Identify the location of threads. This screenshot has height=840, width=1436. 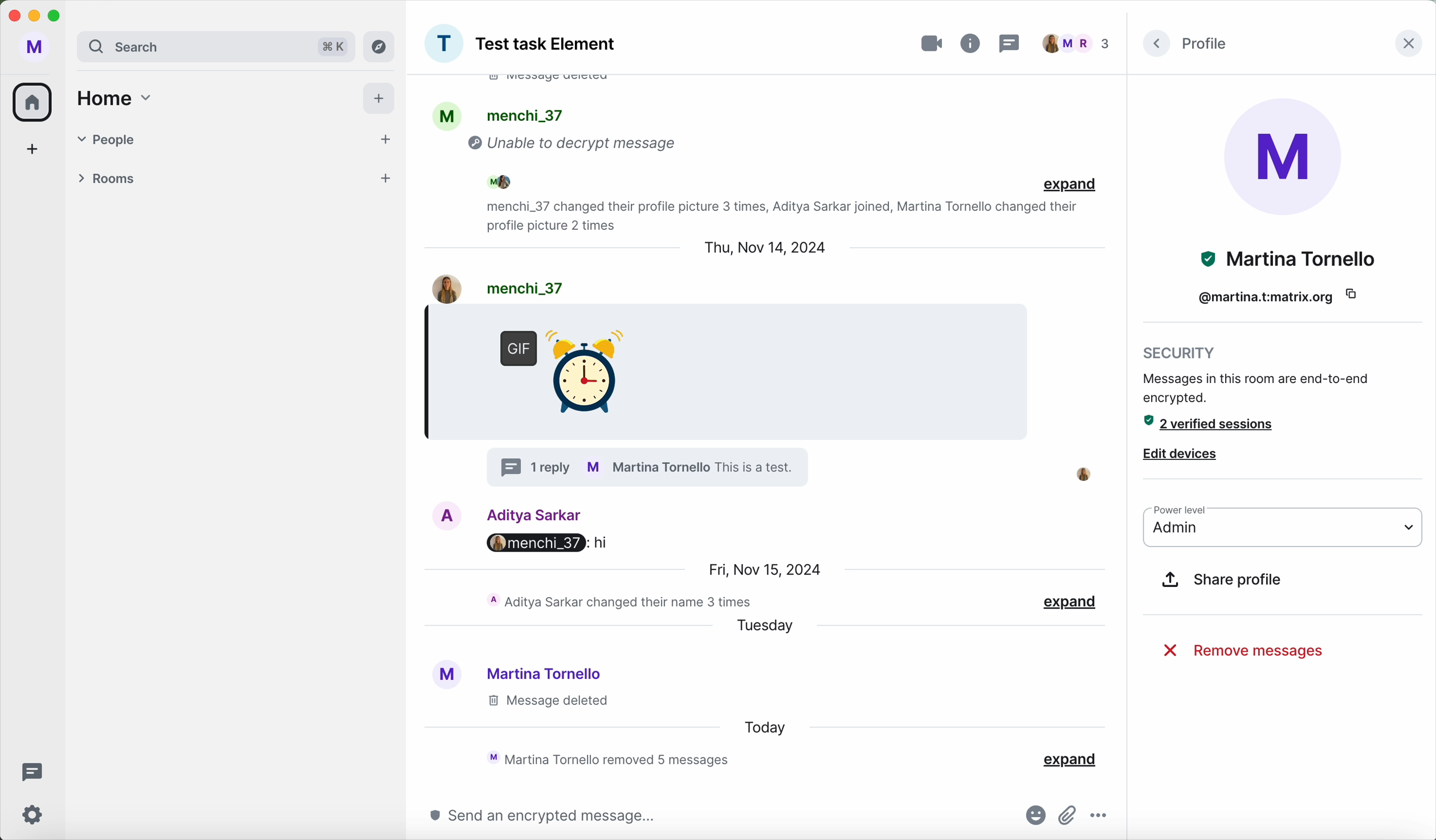
(1014, 43).